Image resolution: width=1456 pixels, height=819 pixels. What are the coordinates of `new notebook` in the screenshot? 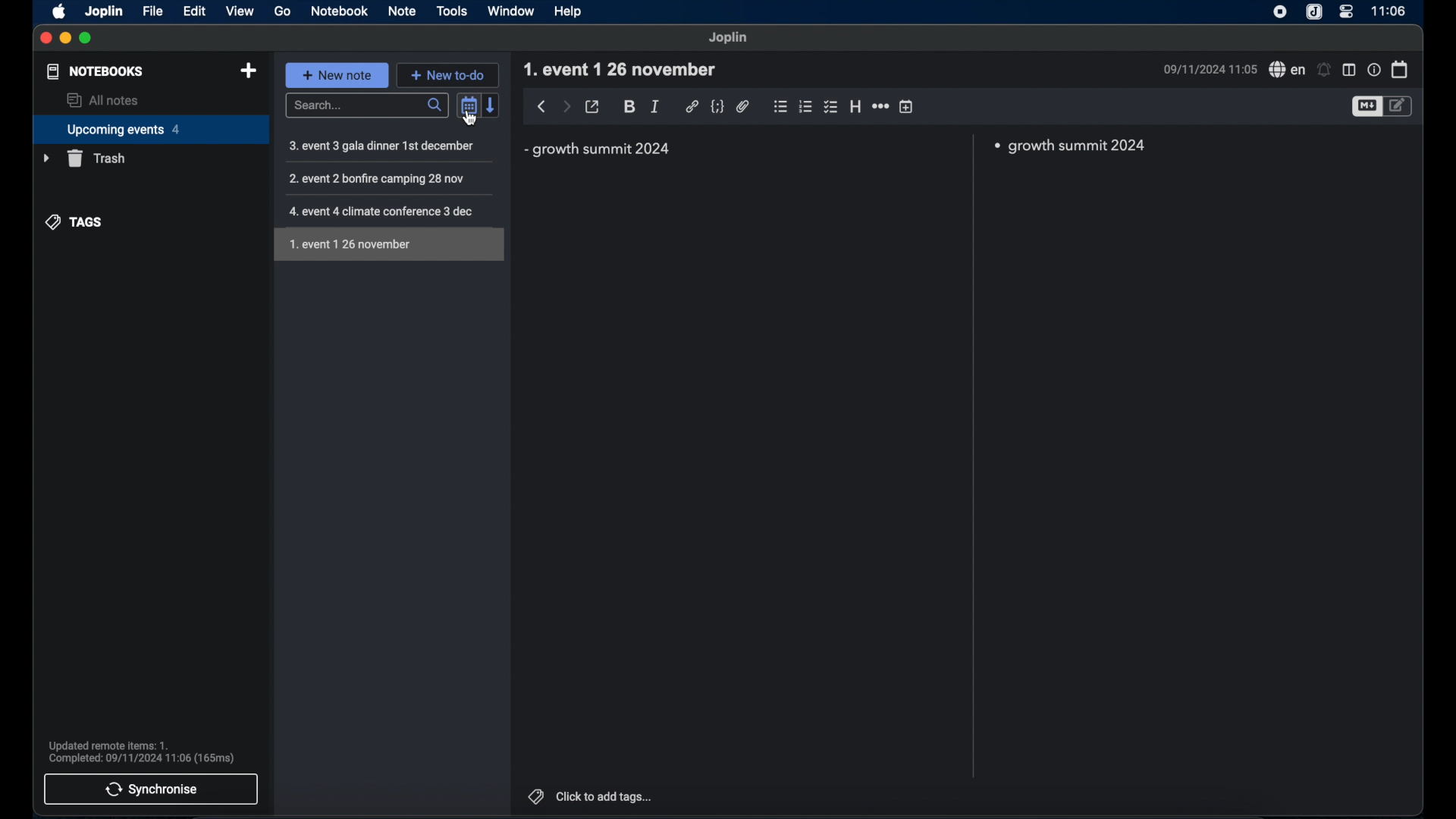 It's located at (249, 72).